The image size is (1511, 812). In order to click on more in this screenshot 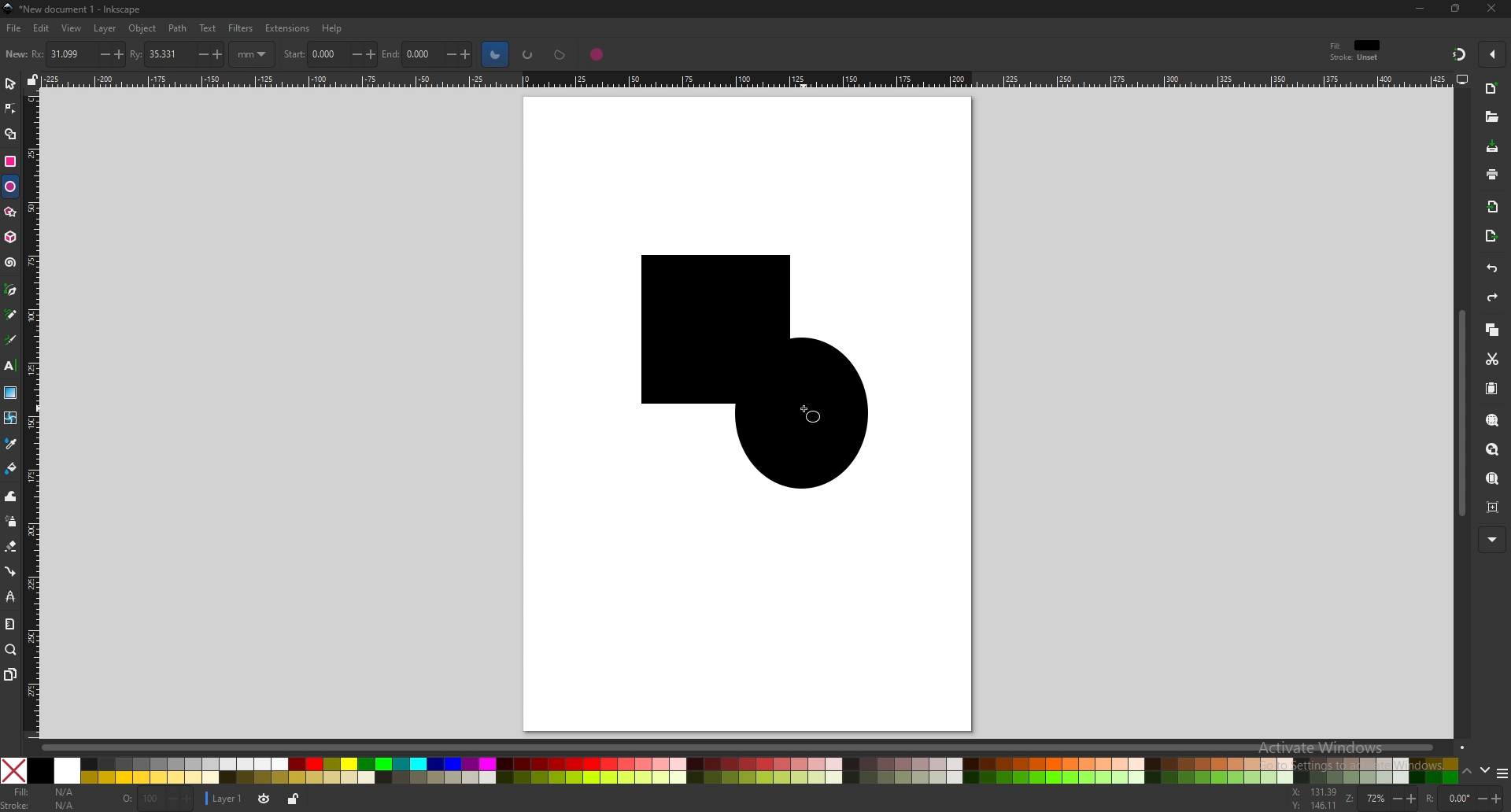, I will do `click(1492, 539)`.